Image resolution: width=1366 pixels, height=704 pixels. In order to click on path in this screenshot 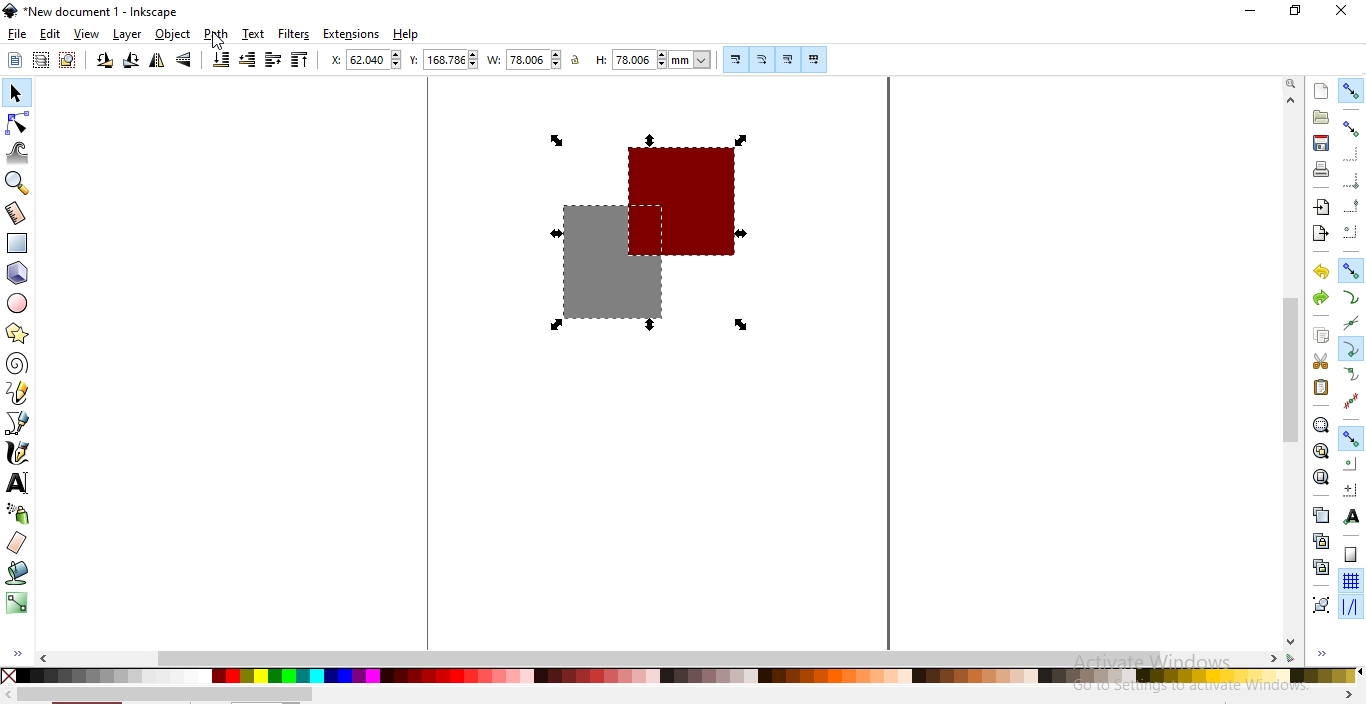, I will do `click(217, 34)`.